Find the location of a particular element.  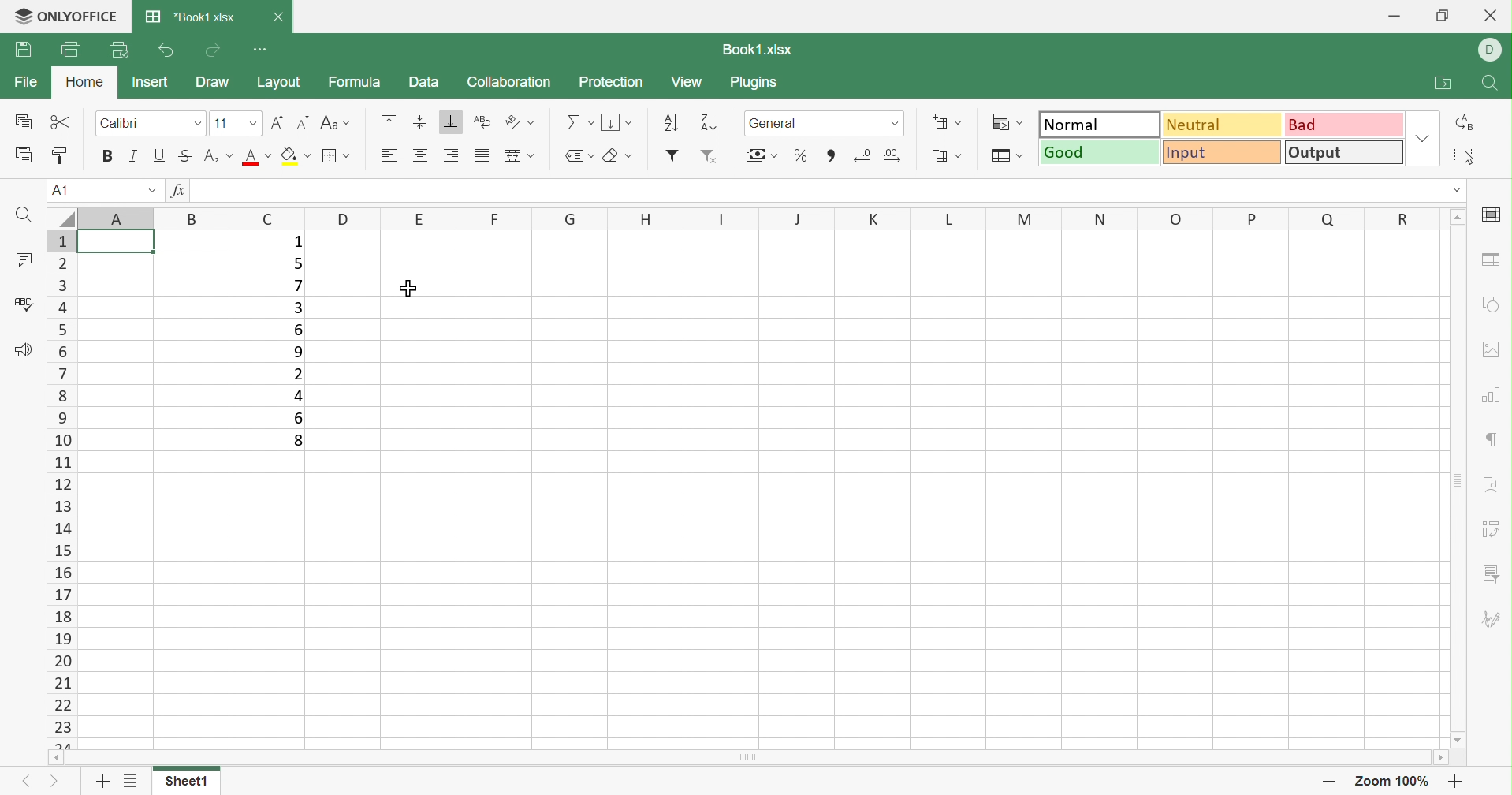

Align Right is located at coordinates (449, 155).